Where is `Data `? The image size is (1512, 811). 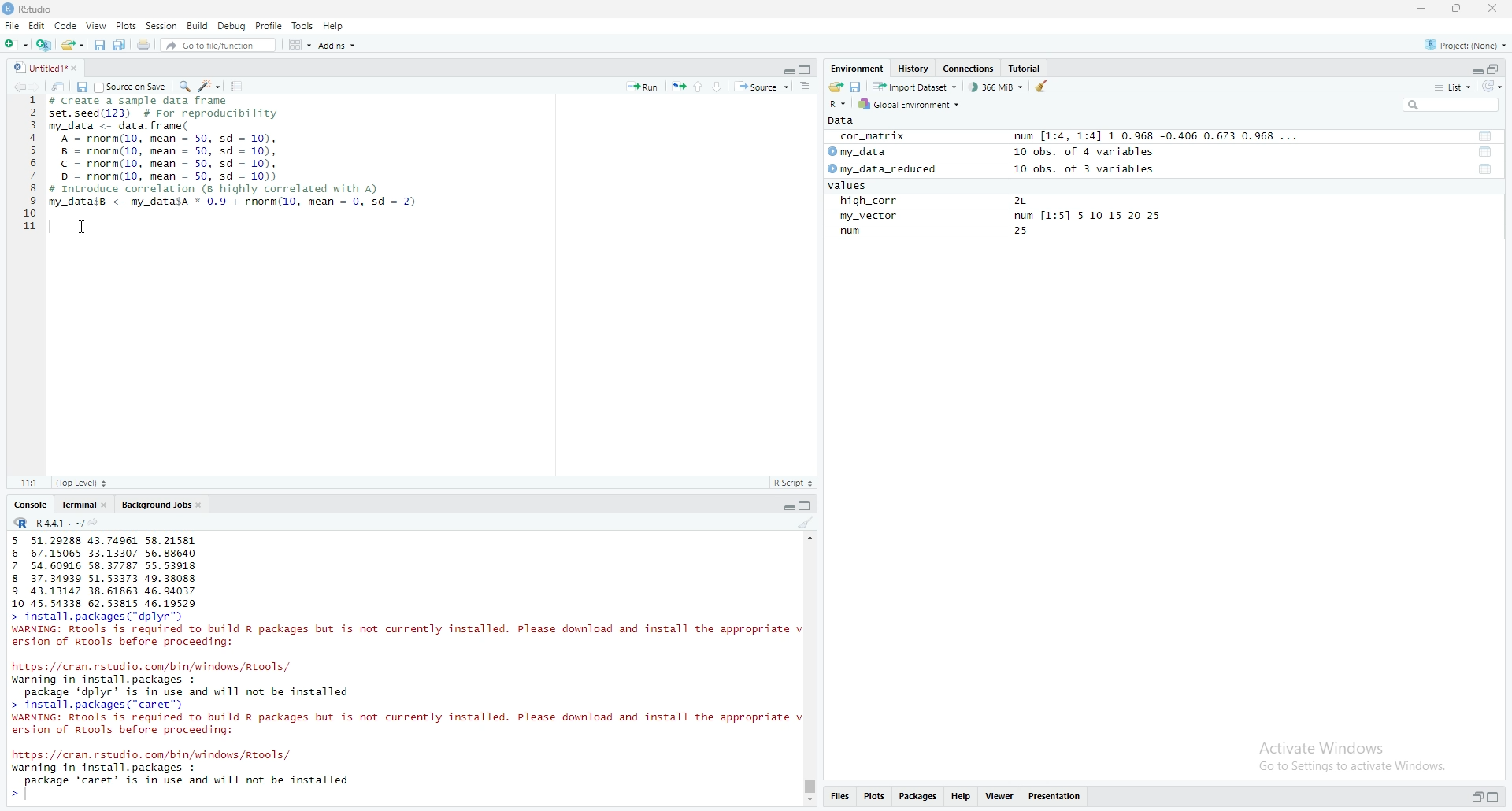
Data  is located at coordinates (843, 120).